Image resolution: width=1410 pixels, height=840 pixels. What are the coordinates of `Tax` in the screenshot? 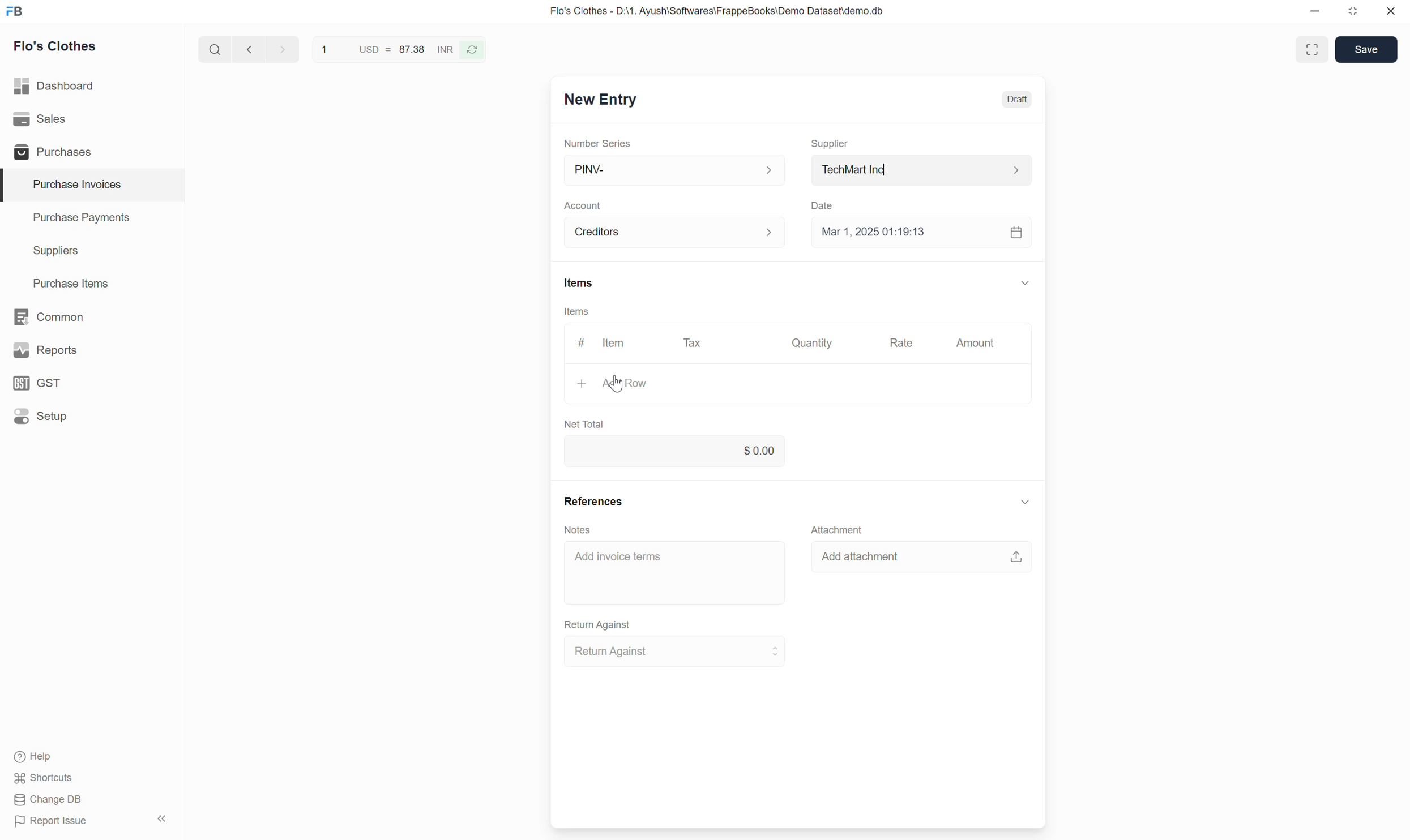 It's located at (694, 342).